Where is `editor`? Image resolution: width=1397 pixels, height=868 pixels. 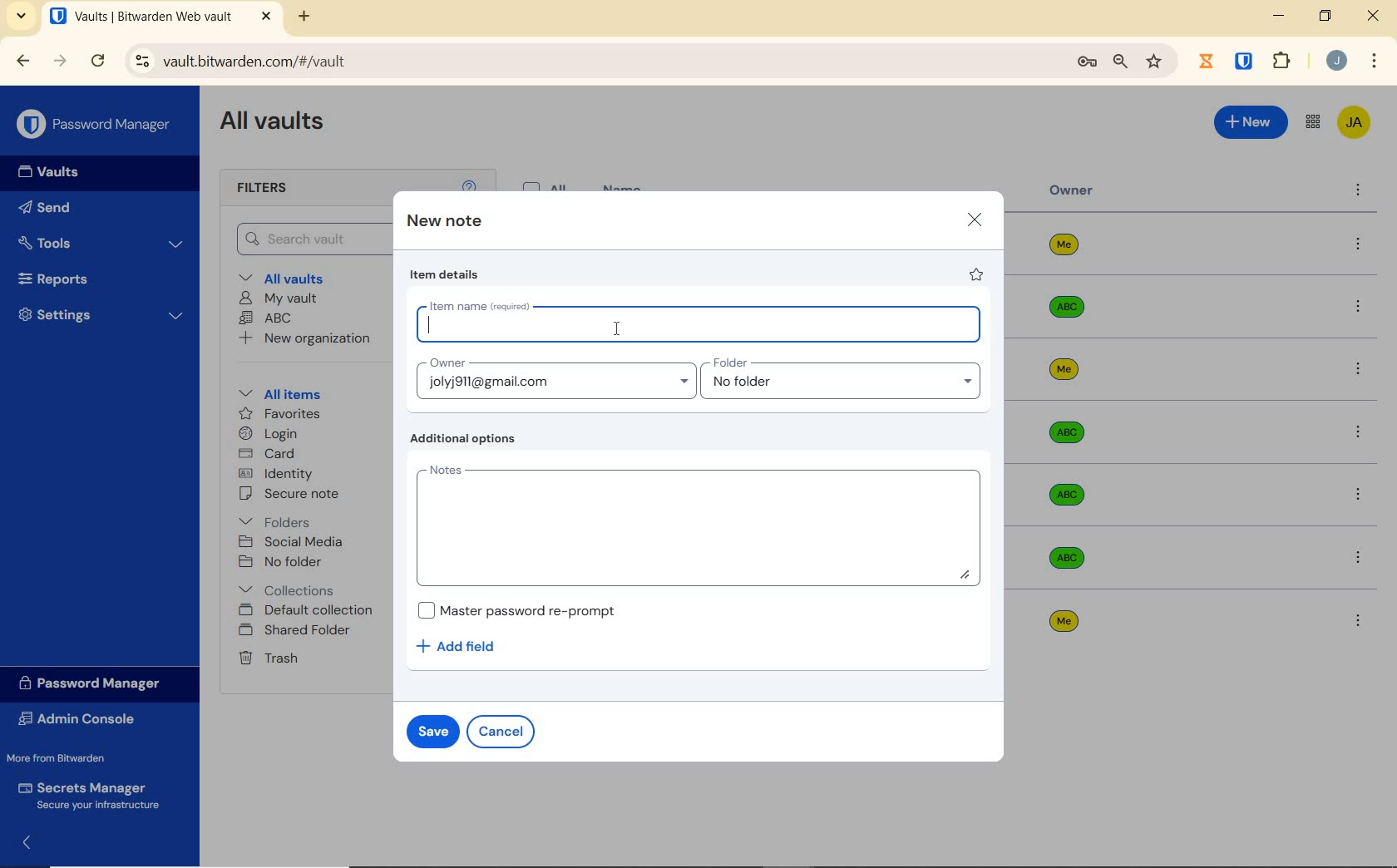
editor is located at coordinates (432, 328).